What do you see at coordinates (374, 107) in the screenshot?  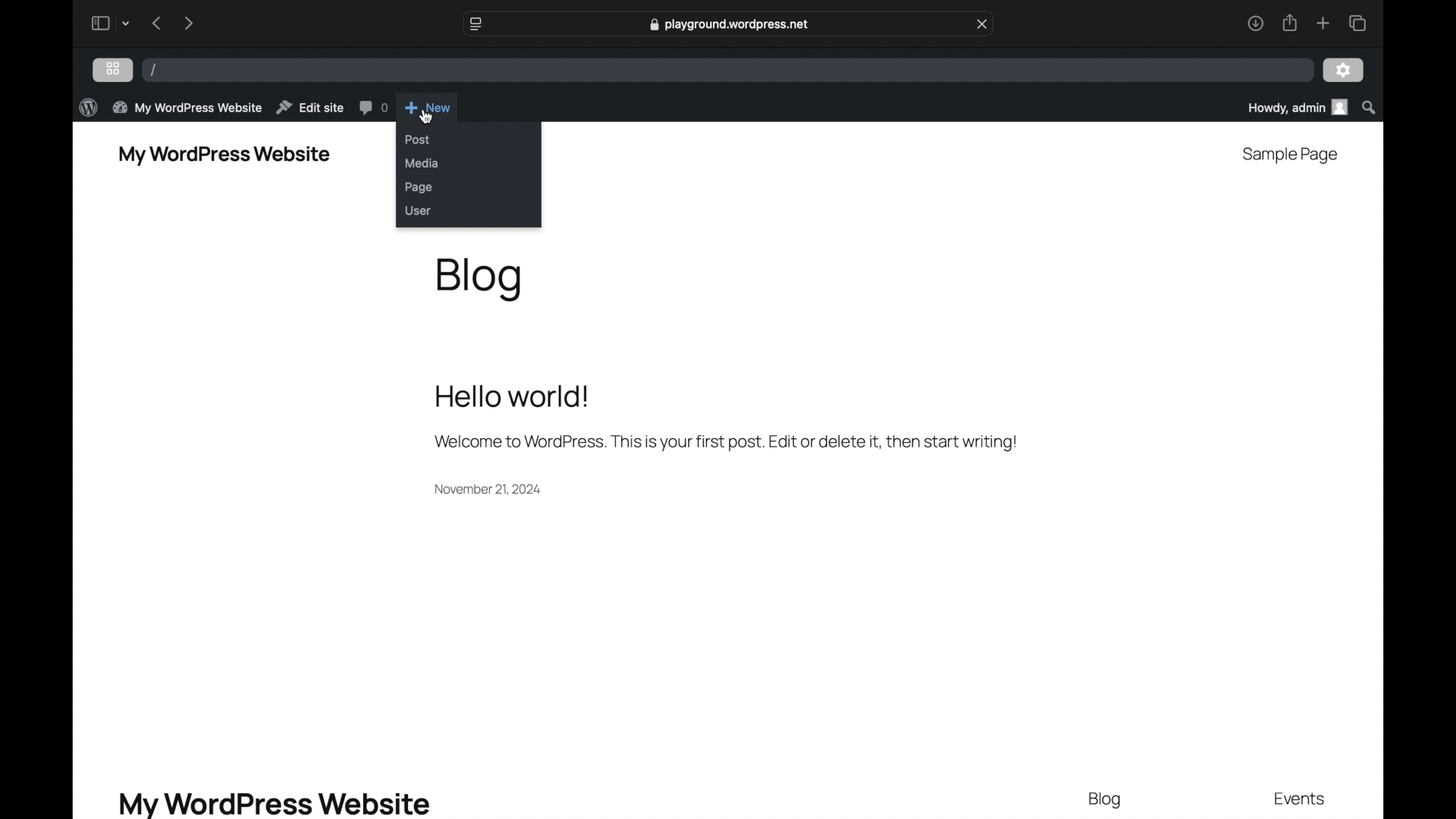 I see `comments` at bounding box center [374, 107].